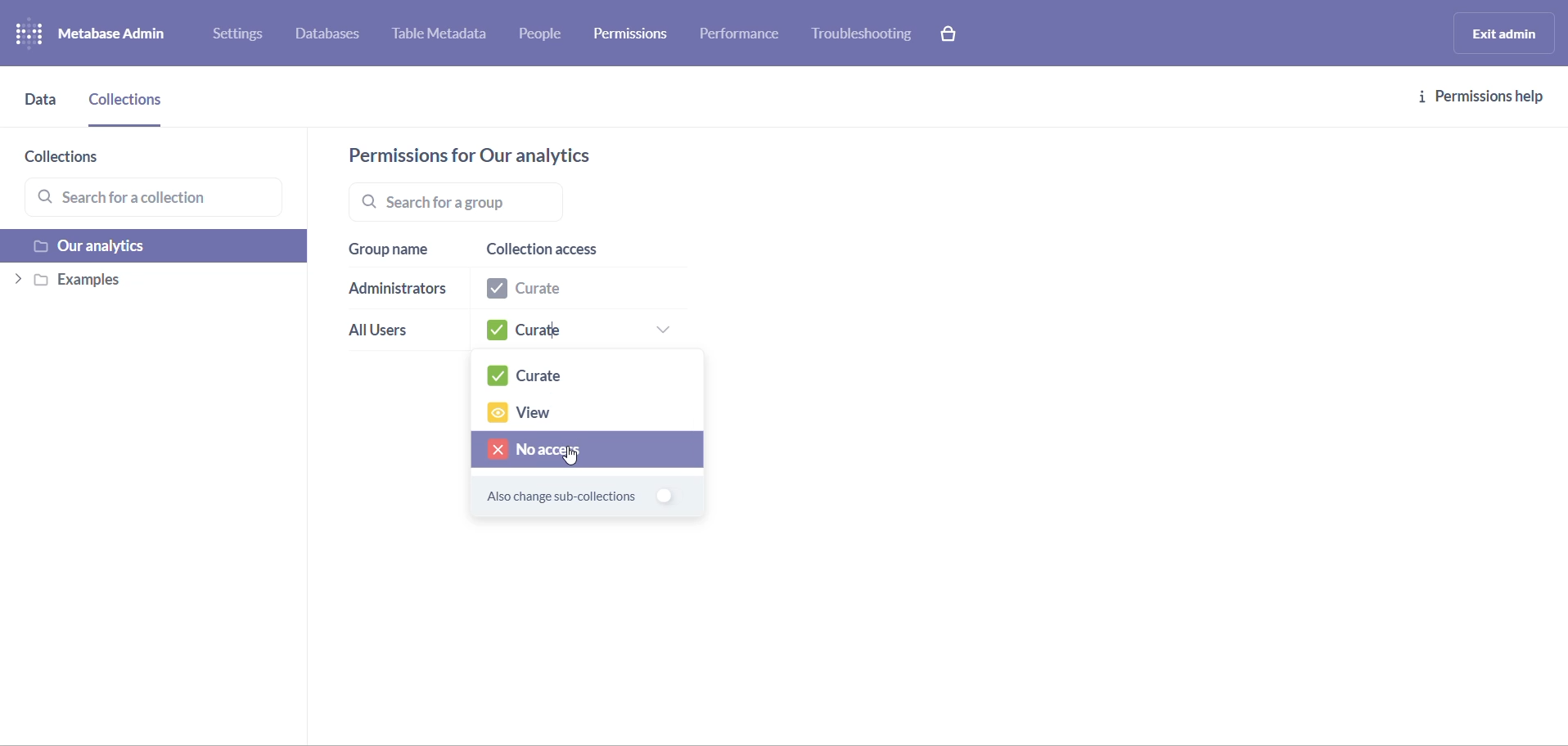  Describe the element at coordinates (129, 106) in the screenshot. I see `colletions` at that location.